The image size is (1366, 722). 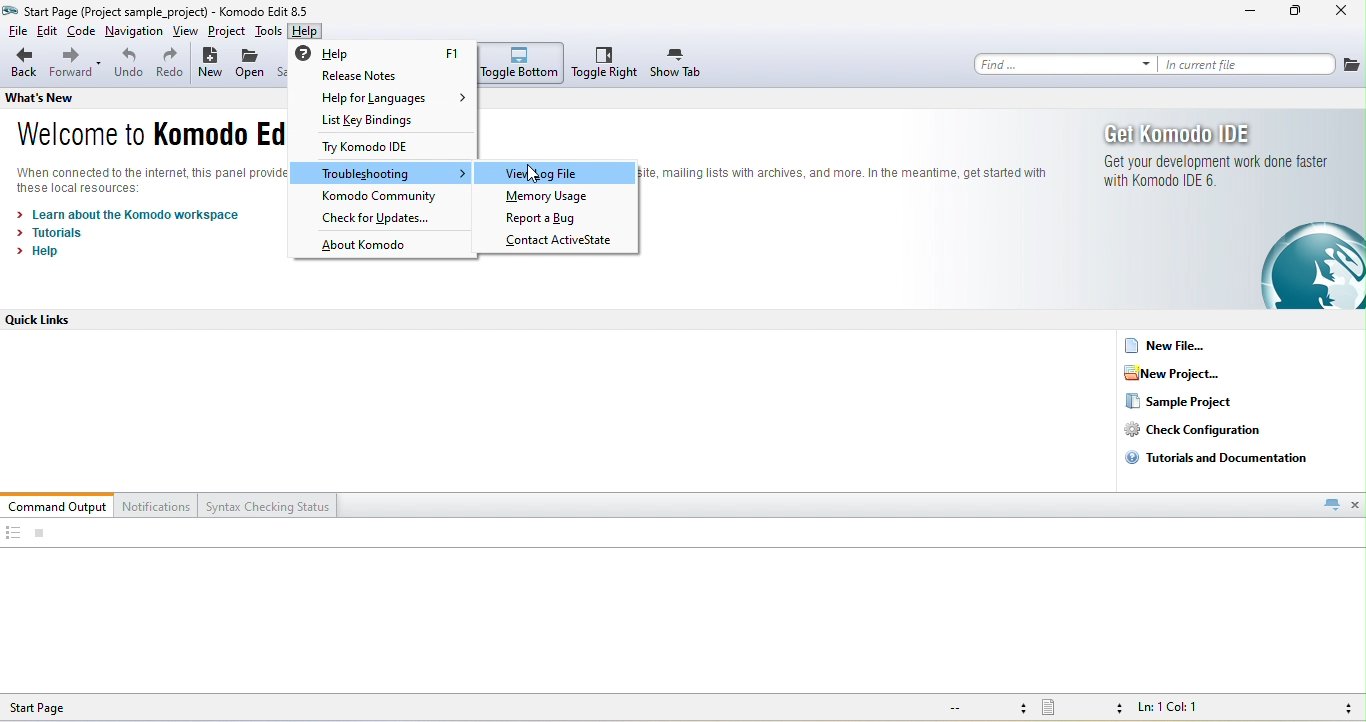 I want to click on undo, so click(x=128, y=66).